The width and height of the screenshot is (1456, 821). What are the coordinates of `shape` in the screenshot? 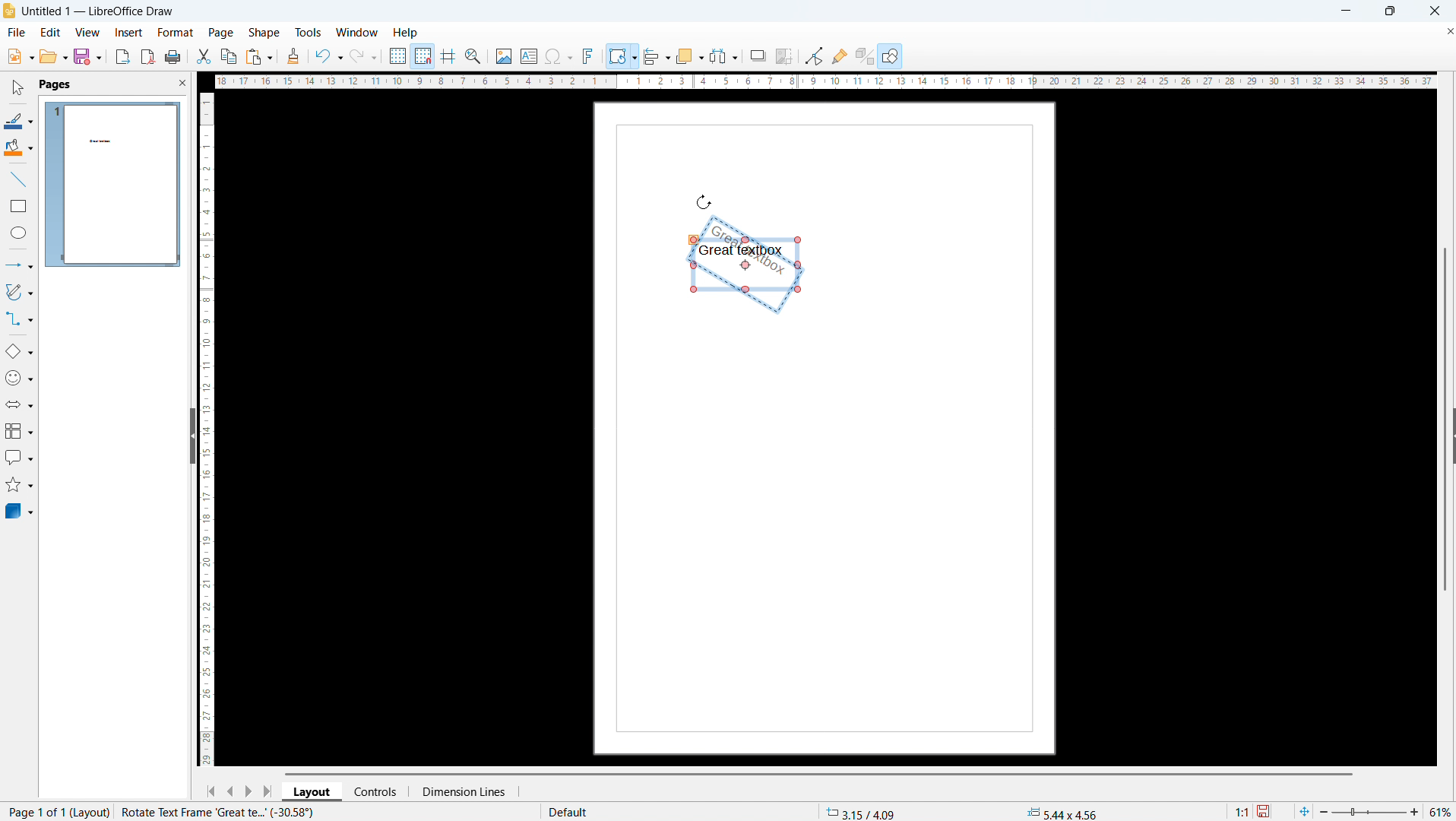 It's located at (264, 33).